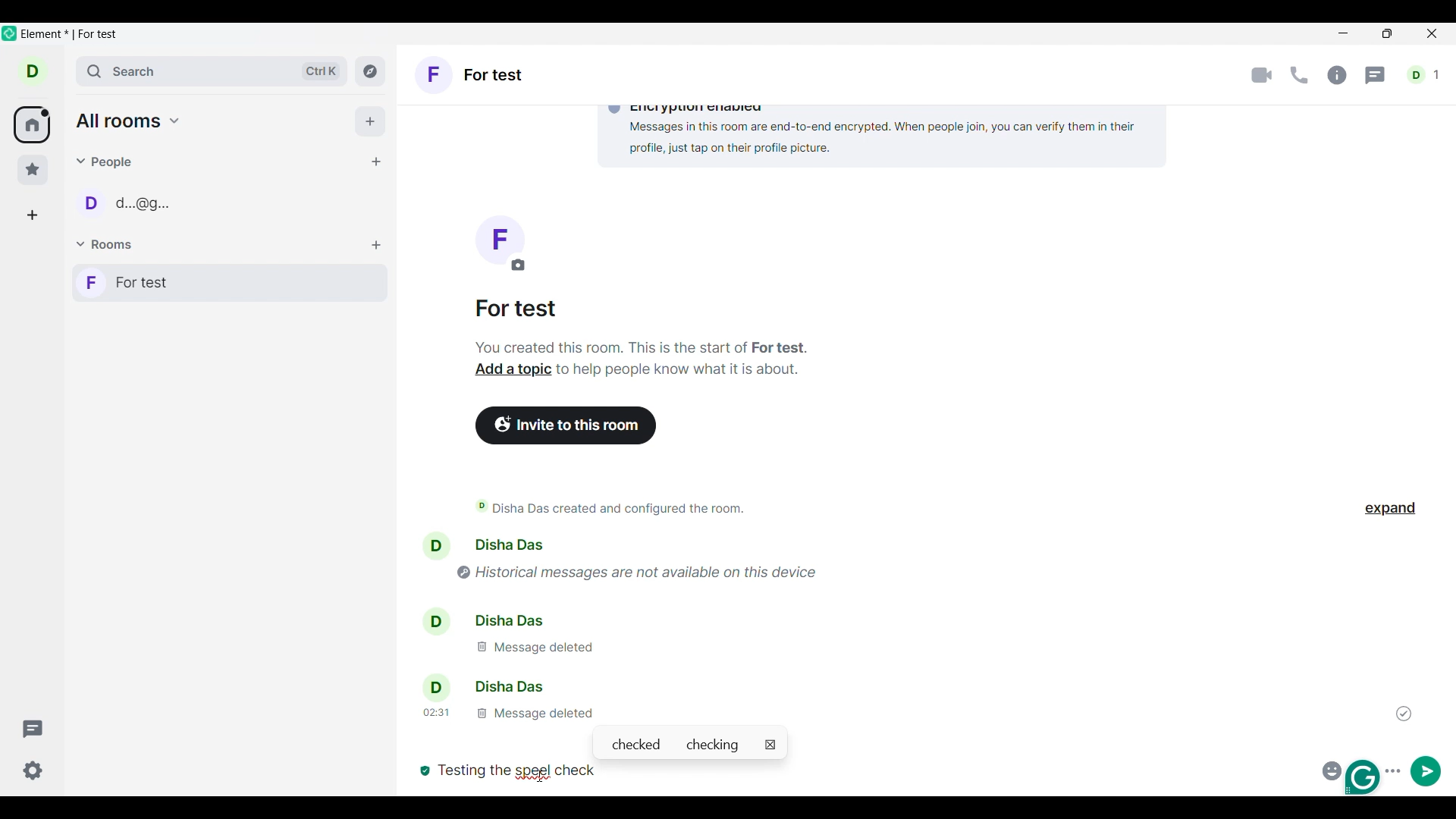 The image size is (1456, 819). What do you see at coordinates (1433, 35) in the screenshot?
I see `Close interface` at bounding box center [1433, 35].